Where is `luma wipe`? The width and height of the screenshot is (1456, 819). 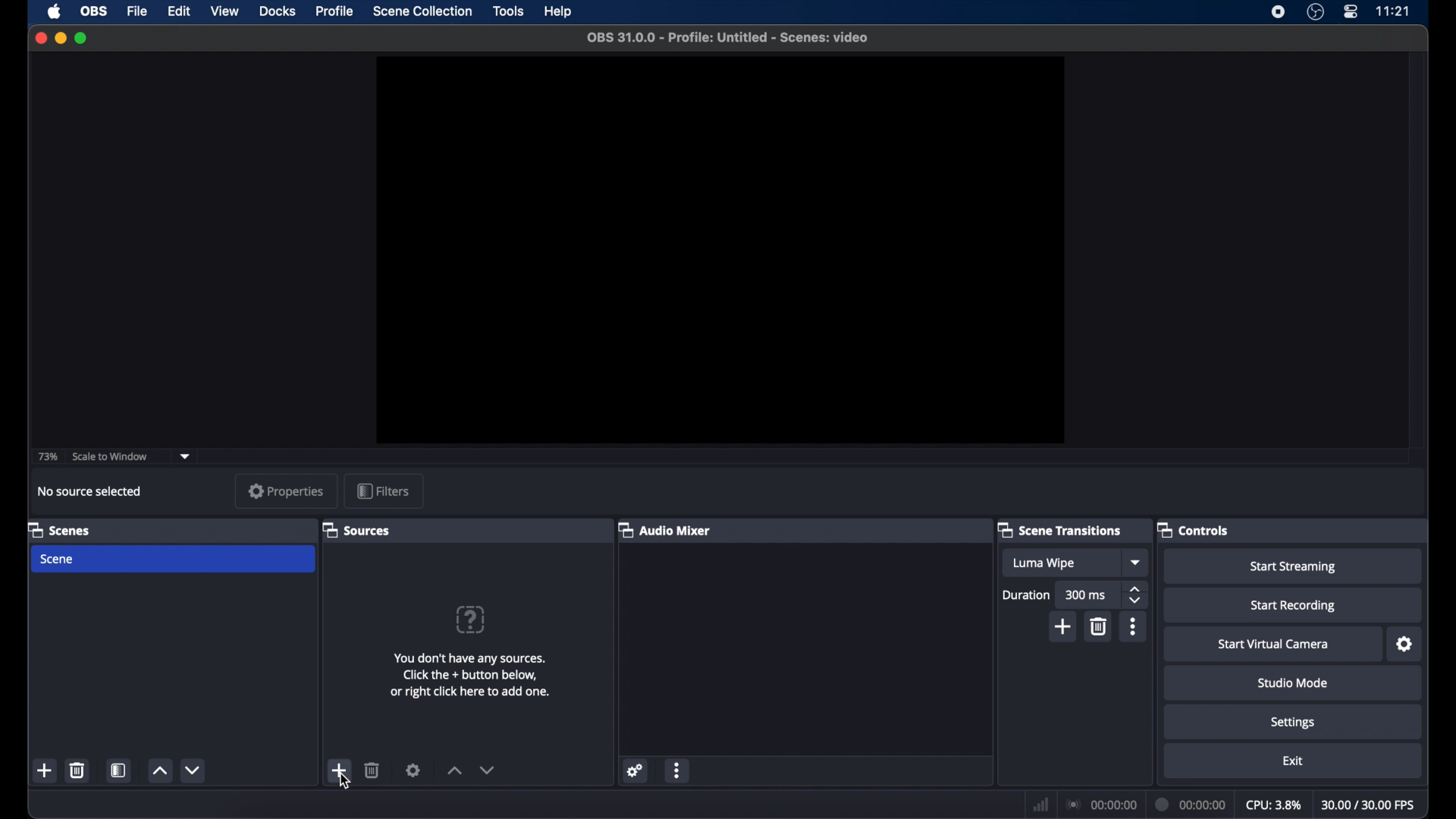 luma wipe is located at coordinates (1043, 563).